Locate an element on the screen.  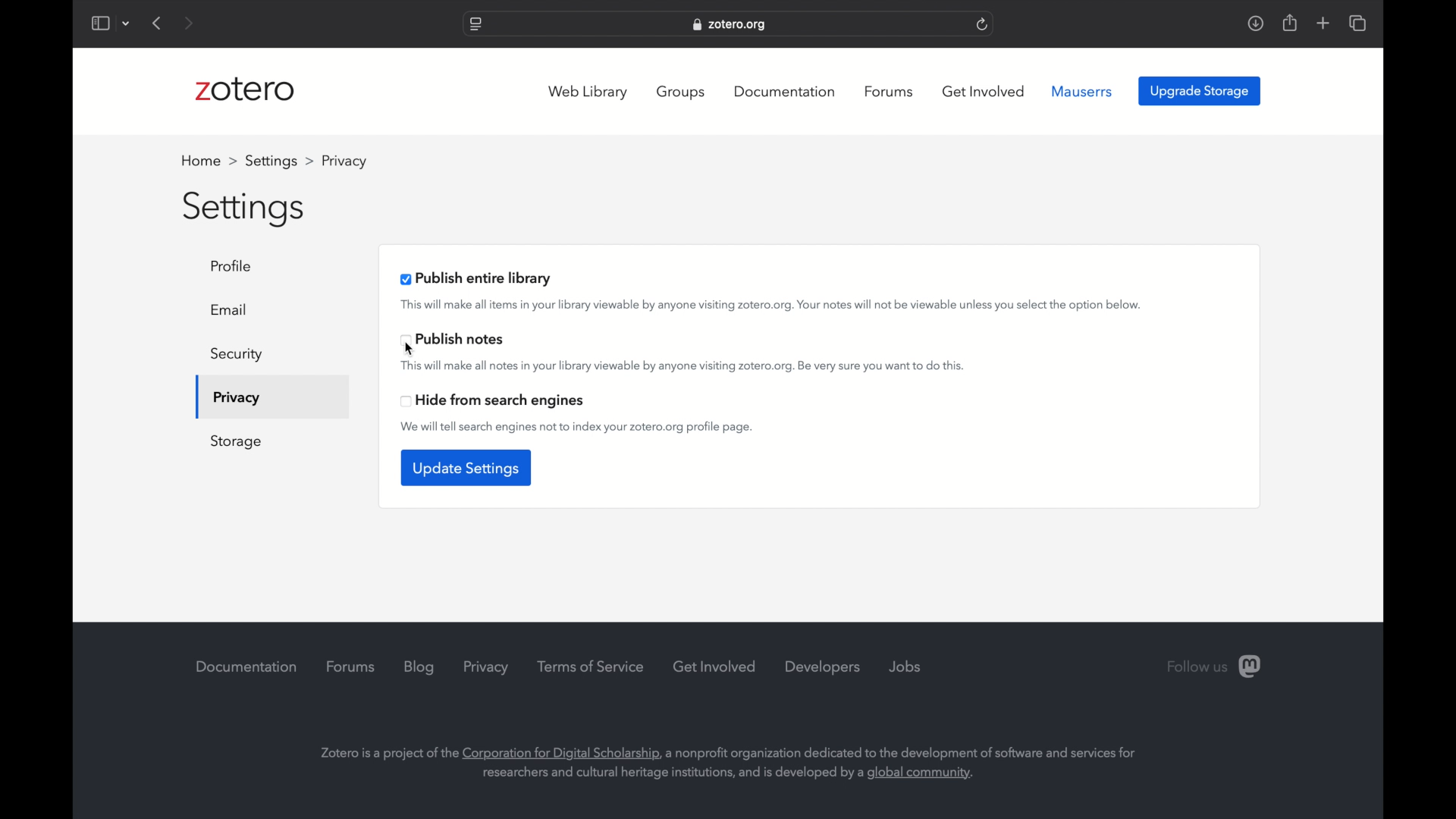
forums is located at coordinates (889, 92).